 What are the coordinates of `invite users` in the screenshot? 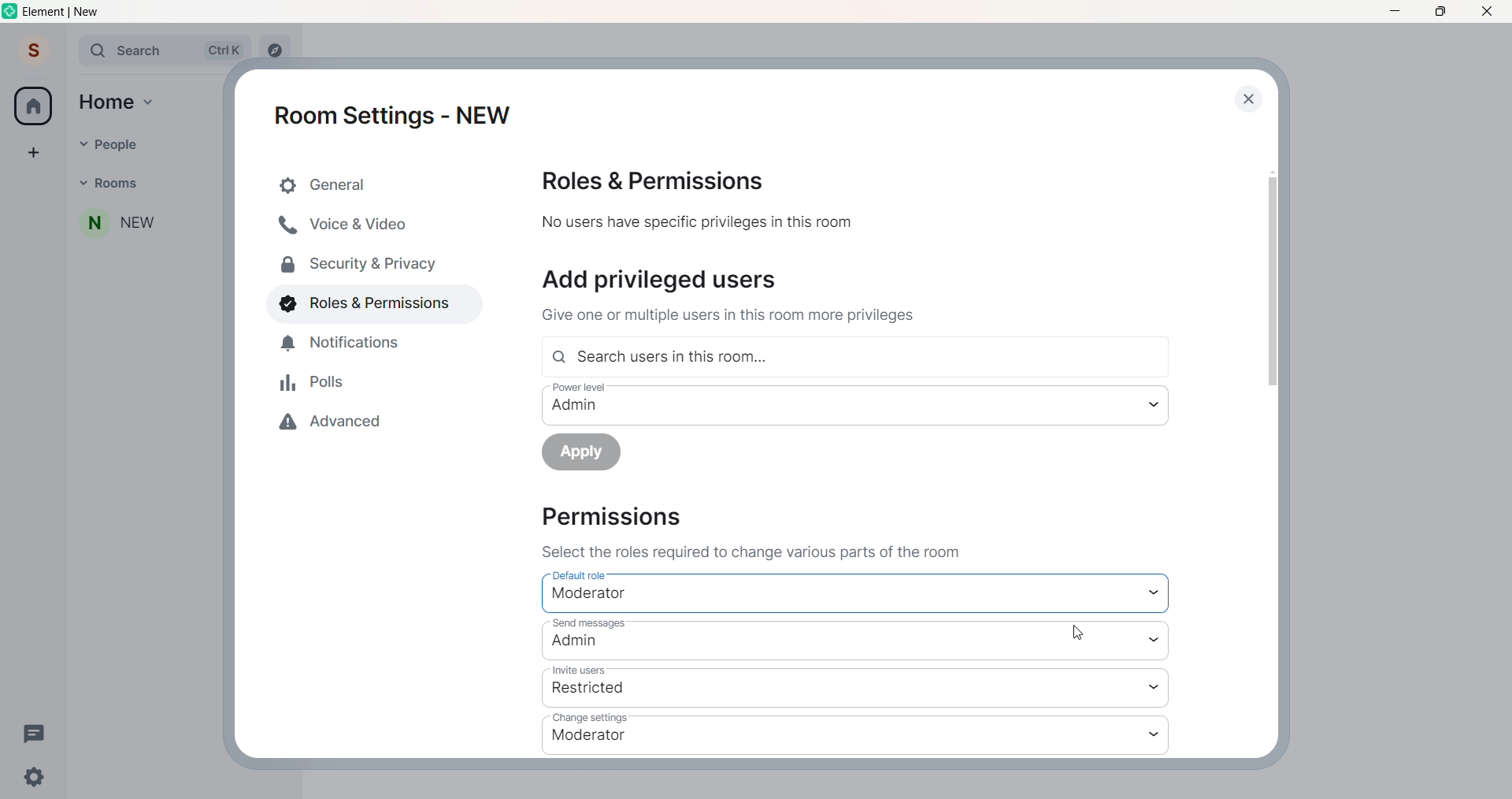 It's located at (839, 687).